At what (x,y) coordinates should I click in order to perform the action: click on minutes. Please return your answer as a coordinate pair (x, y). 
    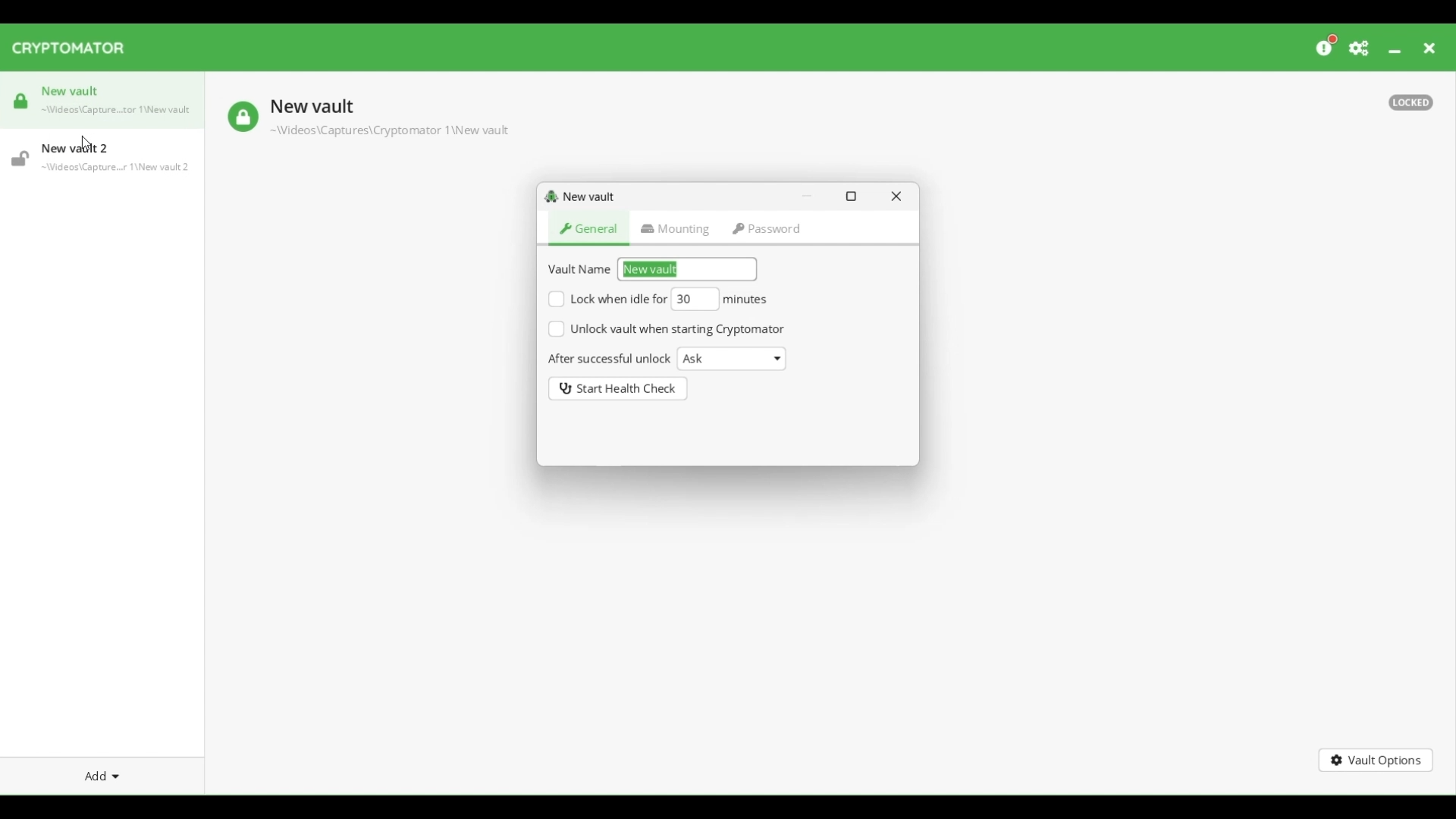
    Looking at the image, I should click on (748, 300).